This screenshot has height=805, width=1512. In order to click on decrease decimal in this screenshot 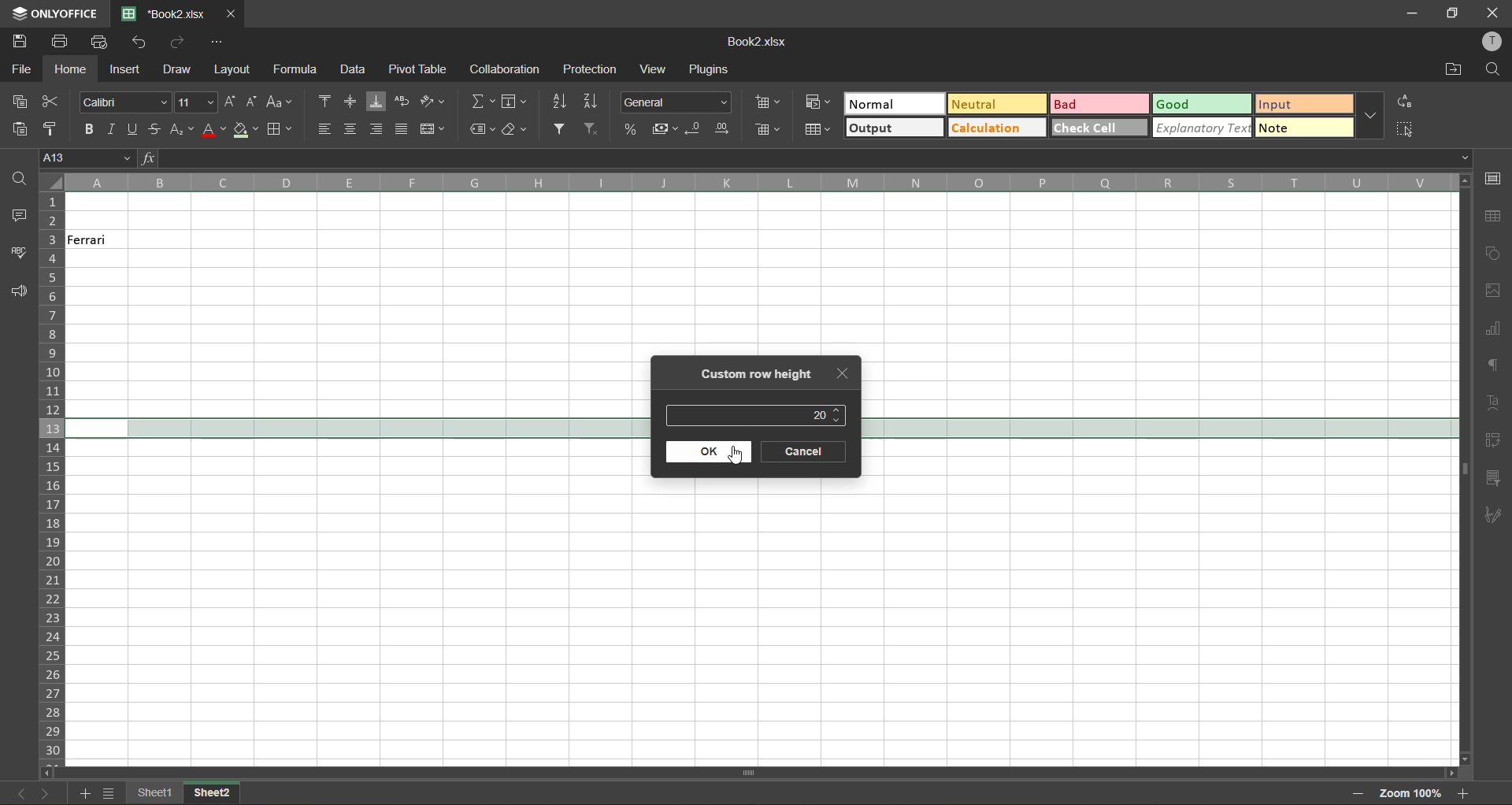, I will do `click(696, 128)`.